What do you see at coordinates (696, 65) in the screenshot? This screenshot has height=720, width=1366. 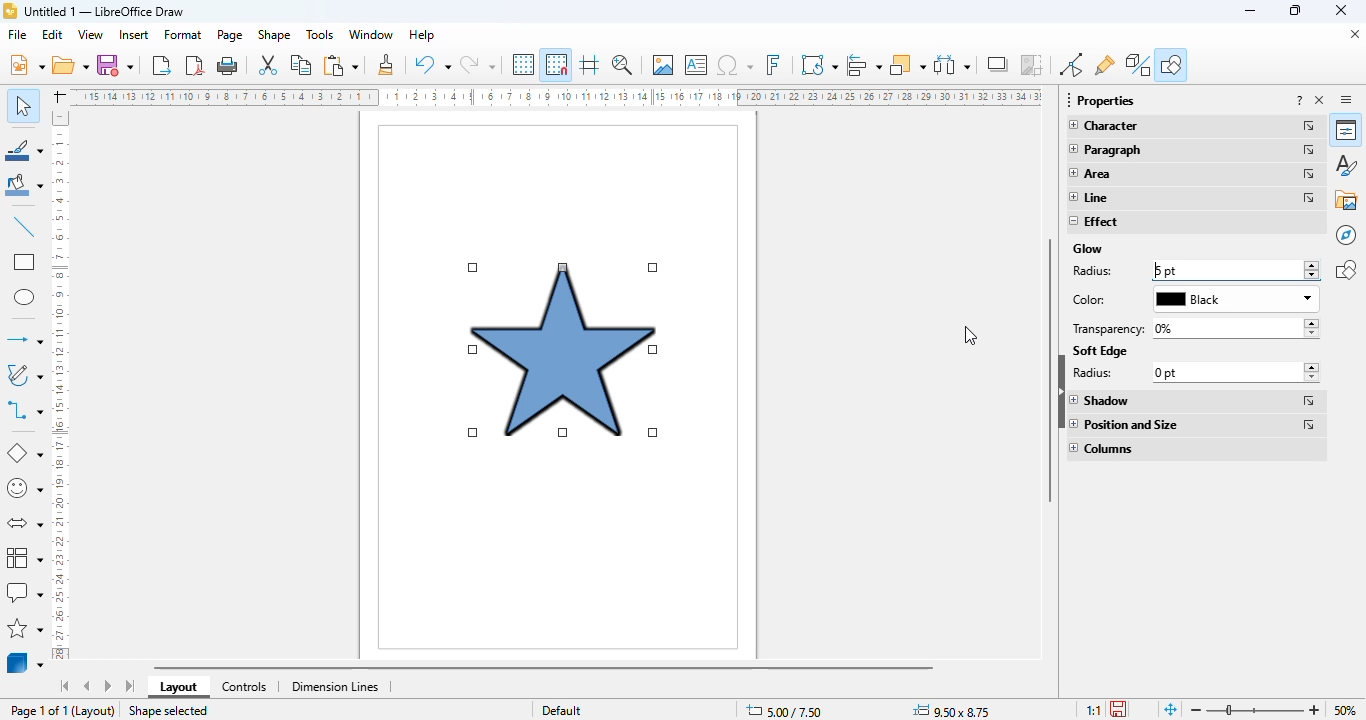 I see `insert text box` at bounding box center [696, 65].